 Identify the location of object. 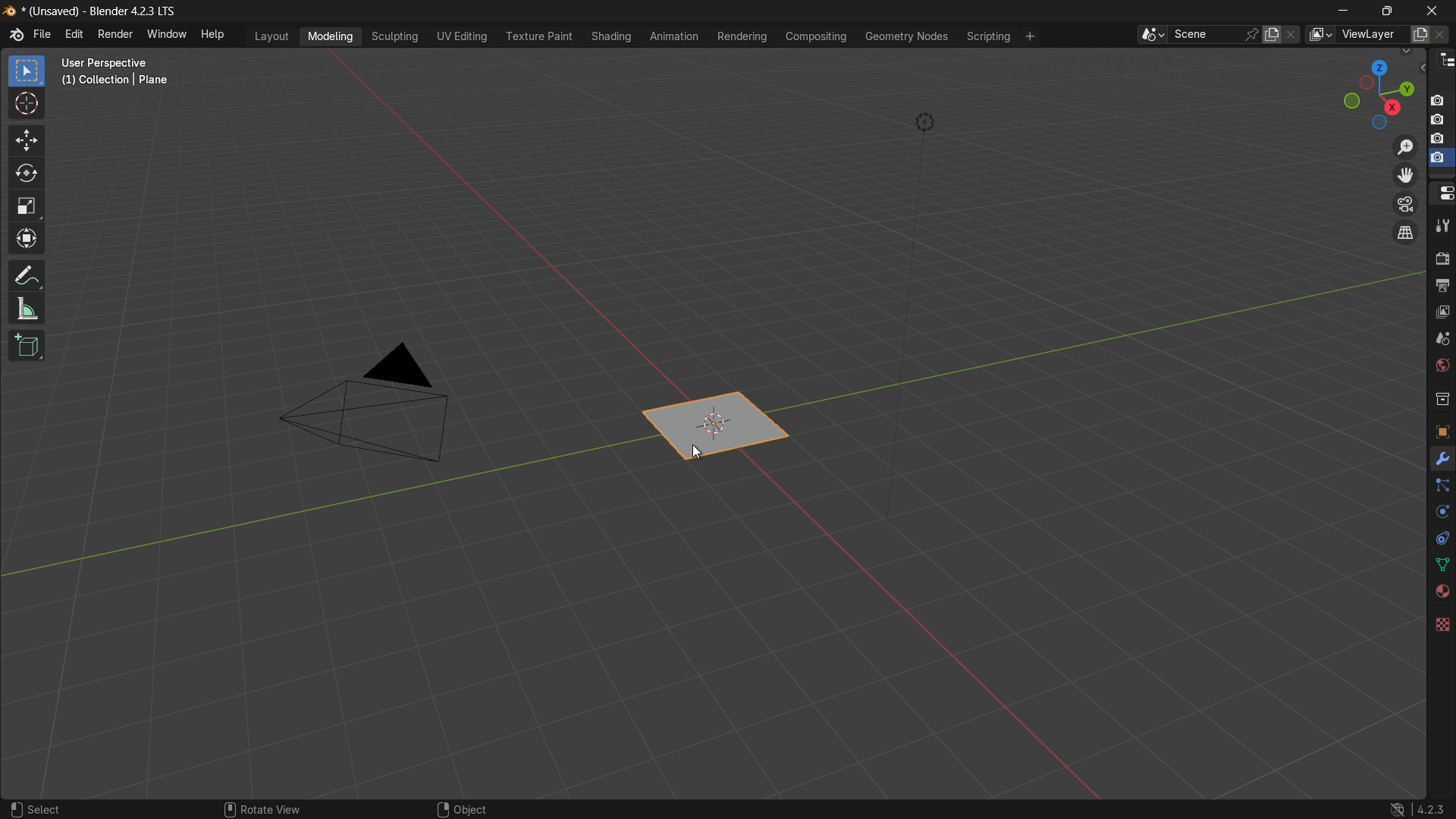
(459, 806).